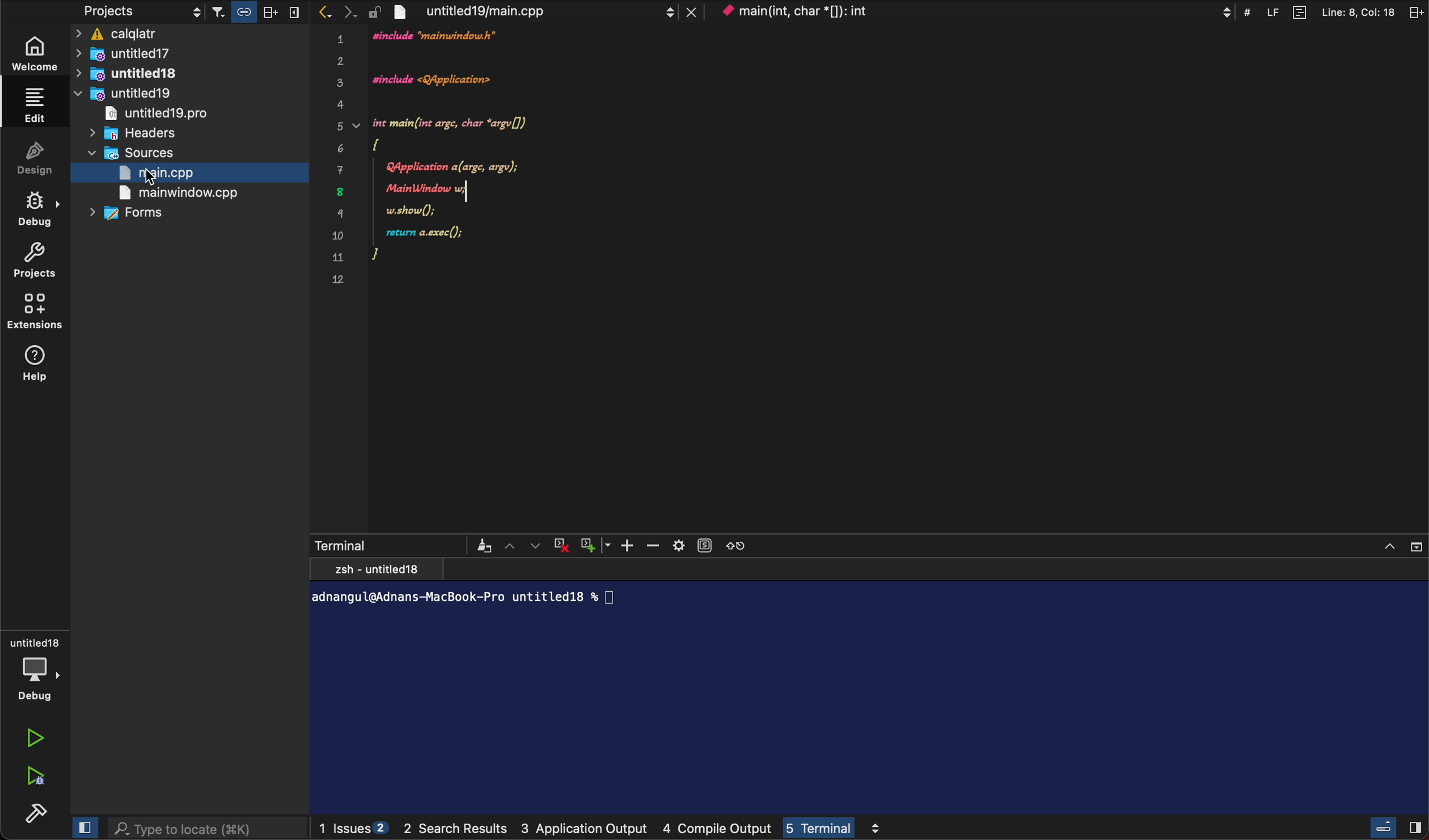 The image size is (1429, 840). I want to click on code, so click(468, 159).